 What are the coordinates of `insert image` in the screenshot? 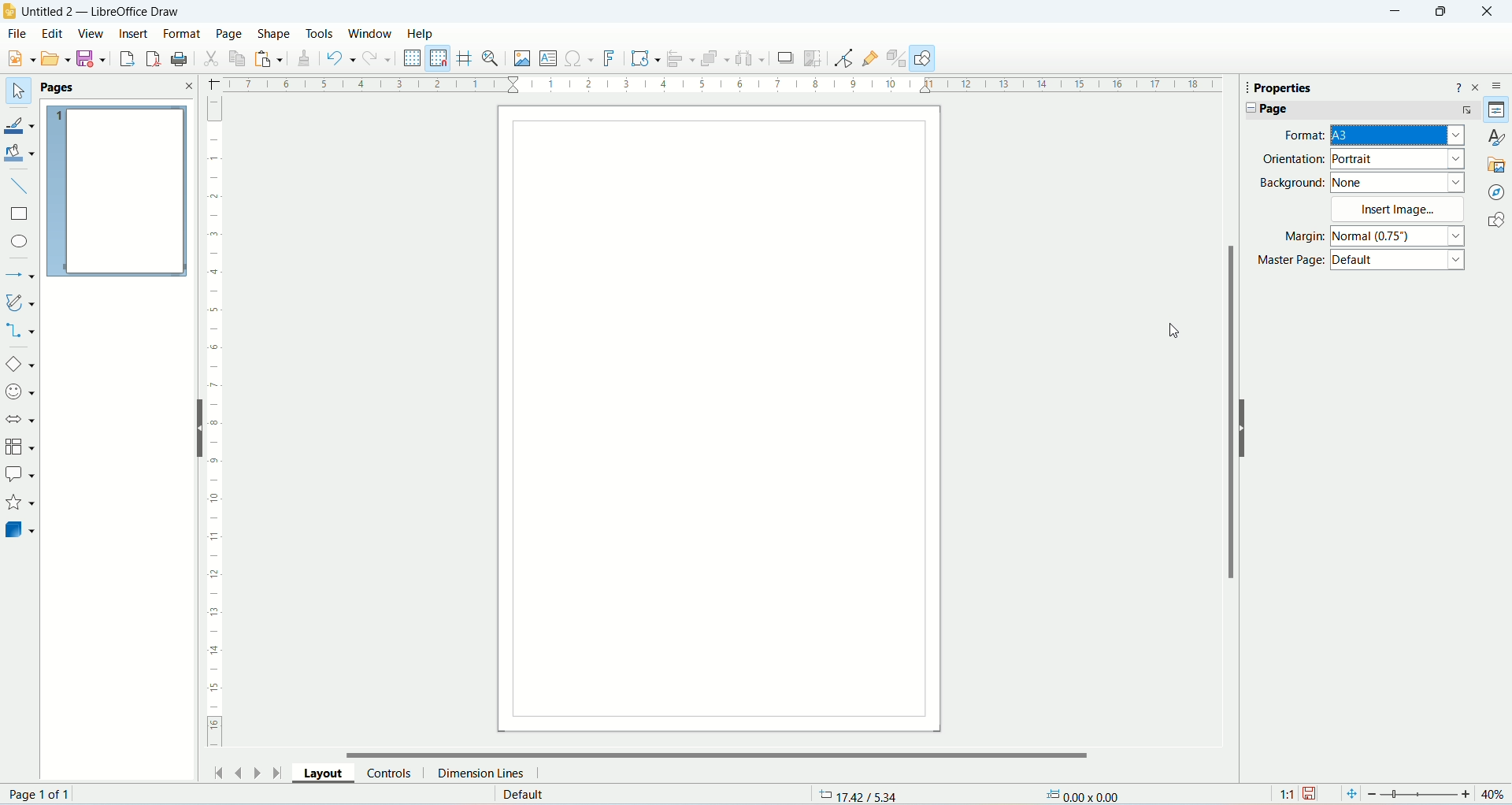 It's located at (524, 60).